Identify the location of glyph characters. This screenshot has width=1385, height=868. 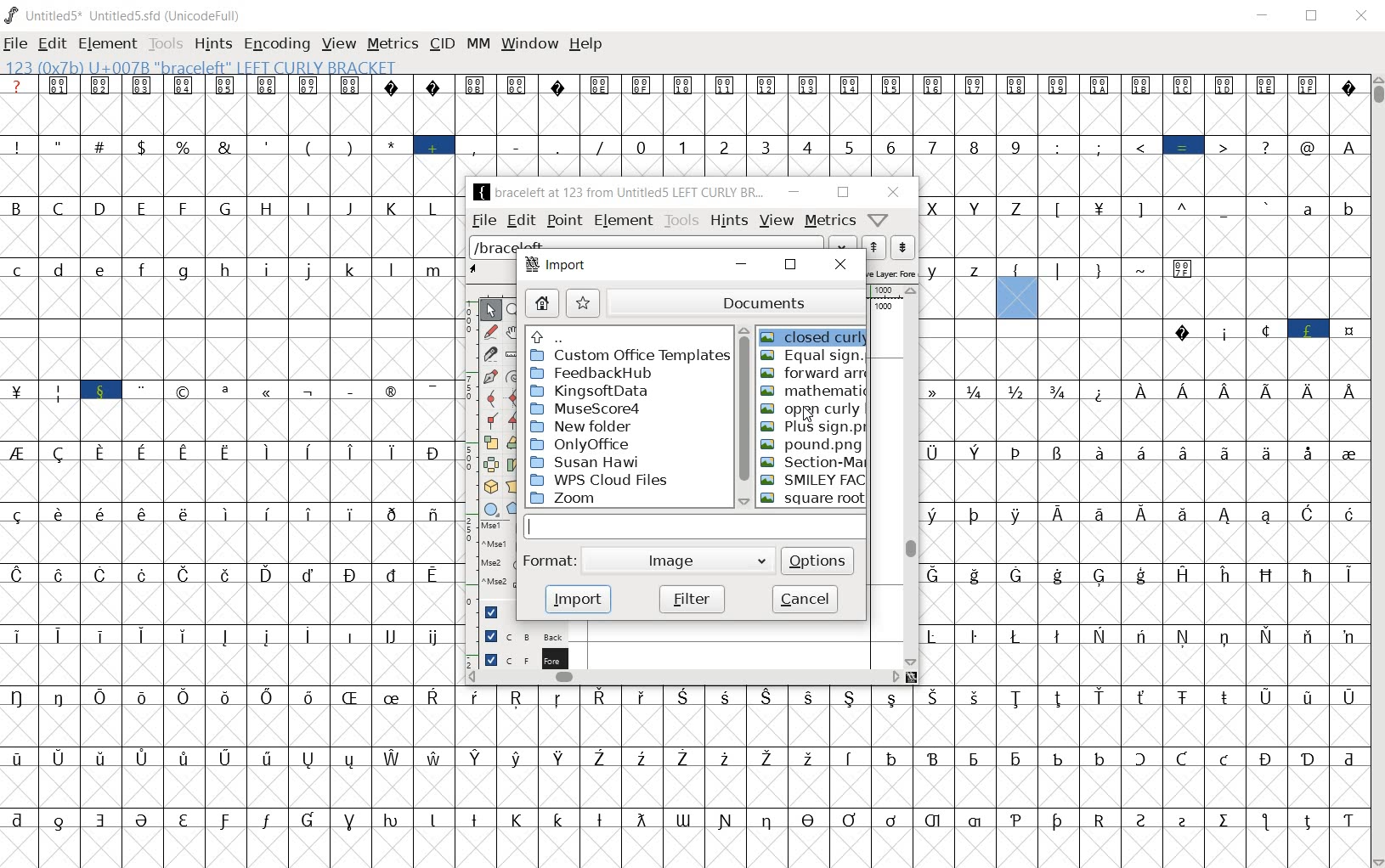
(1144, 500).